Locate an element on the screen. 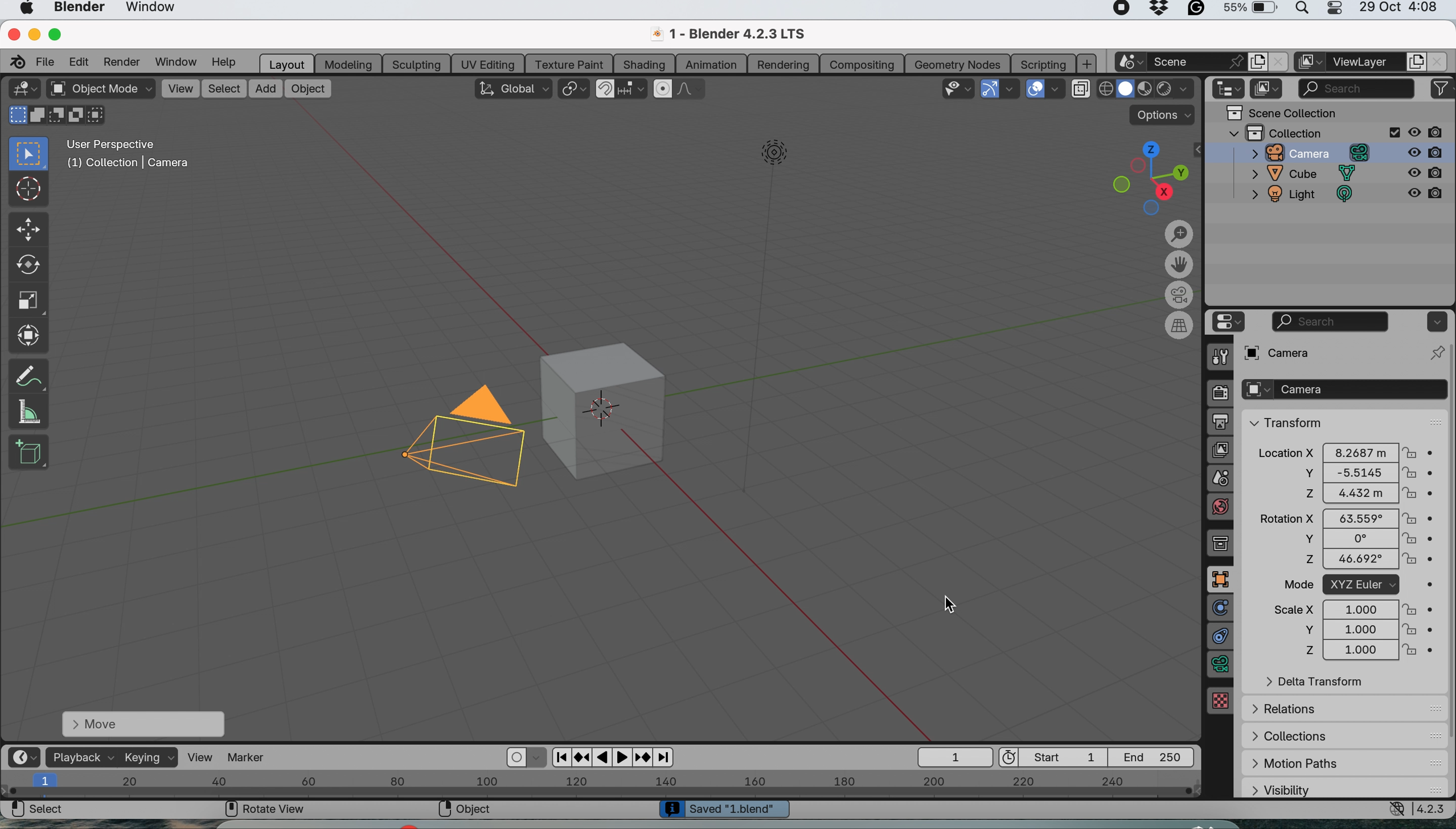 This screenshot has width=1456, height=829. spotlight search is located at coordinates (1300, 11).